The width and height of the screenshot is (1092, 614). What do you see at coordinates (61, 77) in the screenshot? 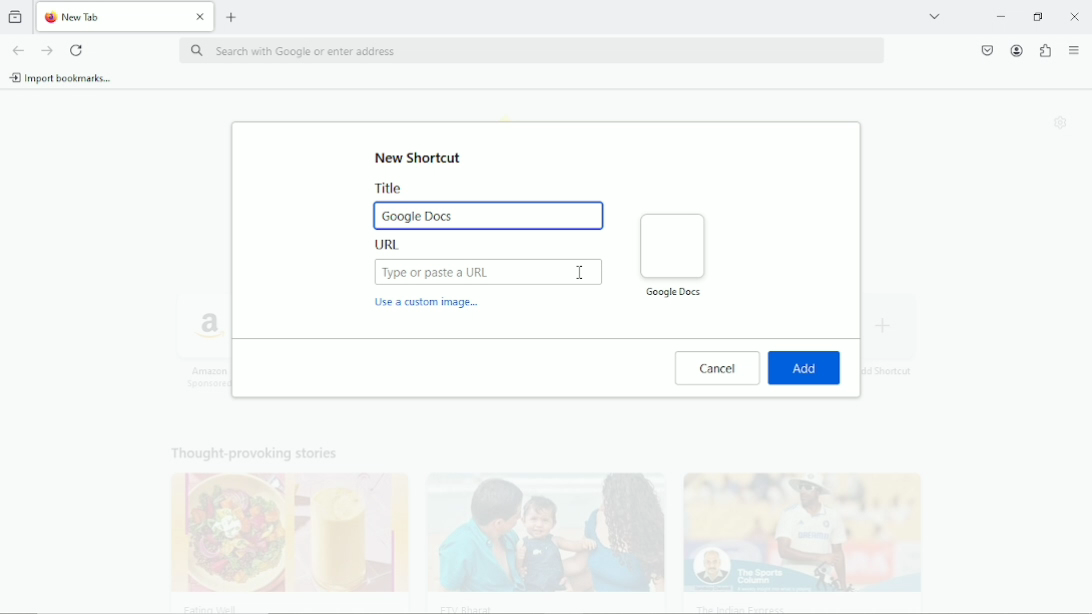
I see `import bookmarks` at bounding box center [61, 77].